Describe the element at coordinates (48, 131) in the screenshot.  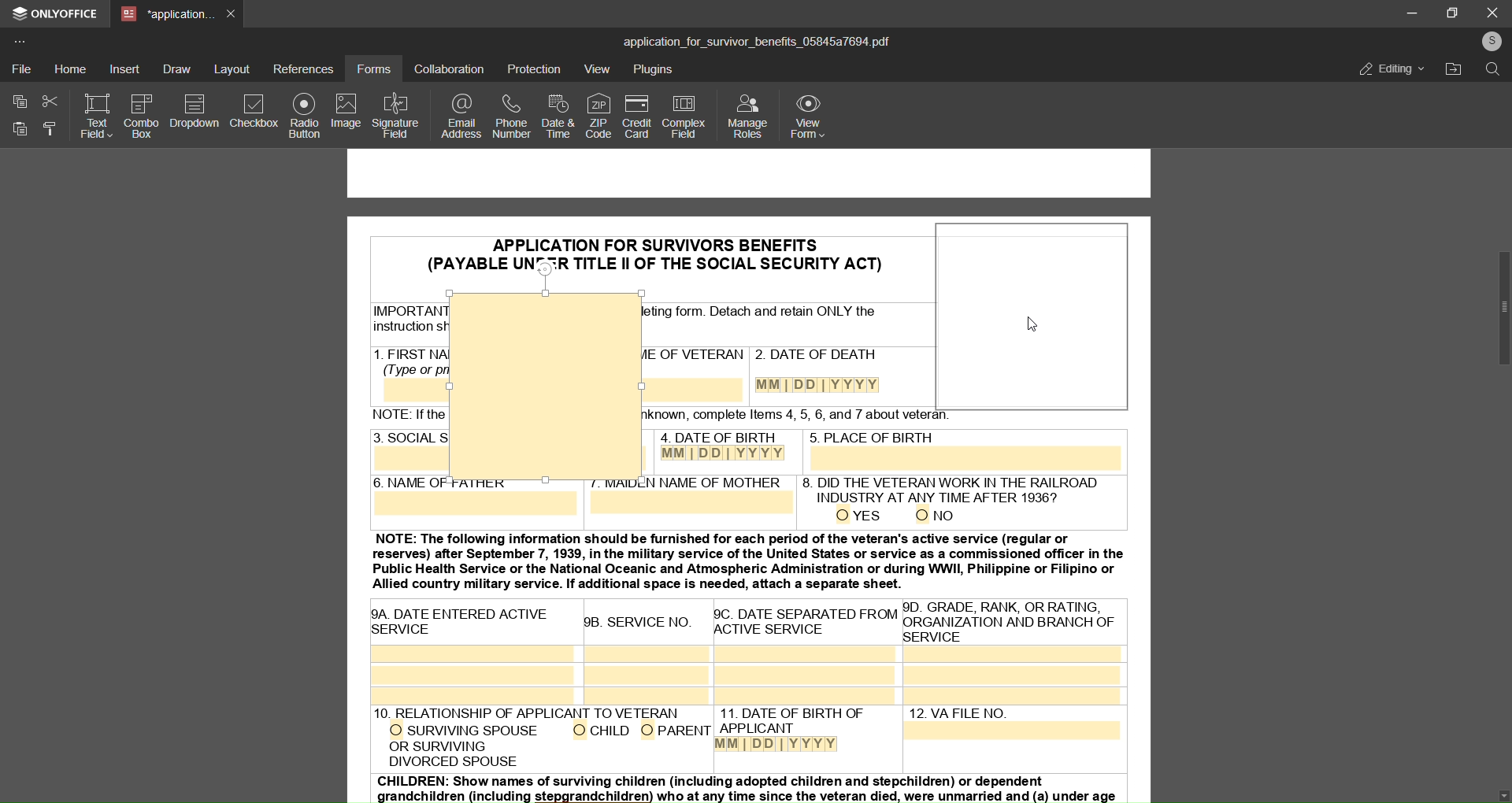
I see `format` at that location.